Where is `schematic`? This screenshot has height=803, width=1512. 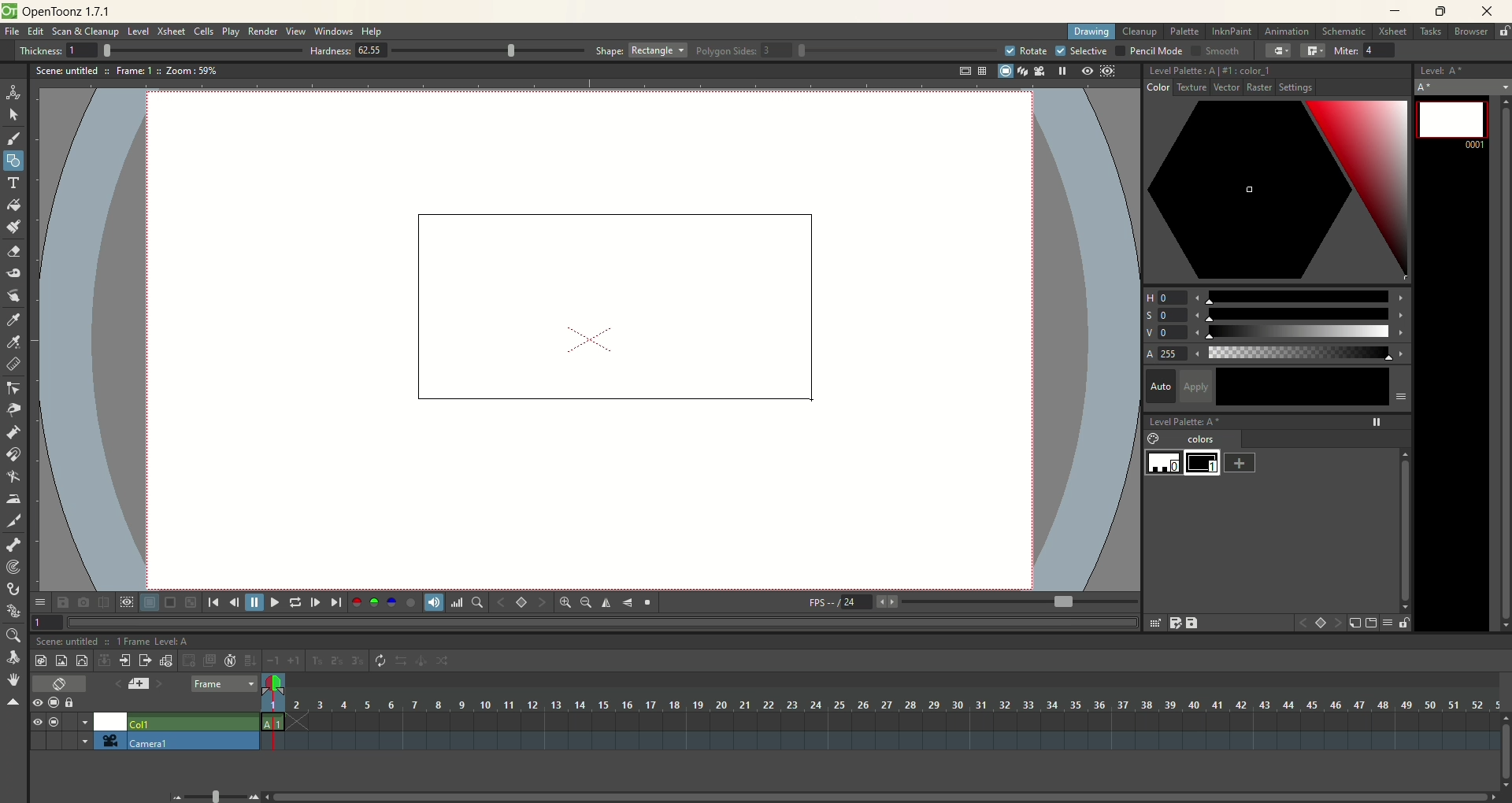 schematic is located at coordinates (1345, 31).